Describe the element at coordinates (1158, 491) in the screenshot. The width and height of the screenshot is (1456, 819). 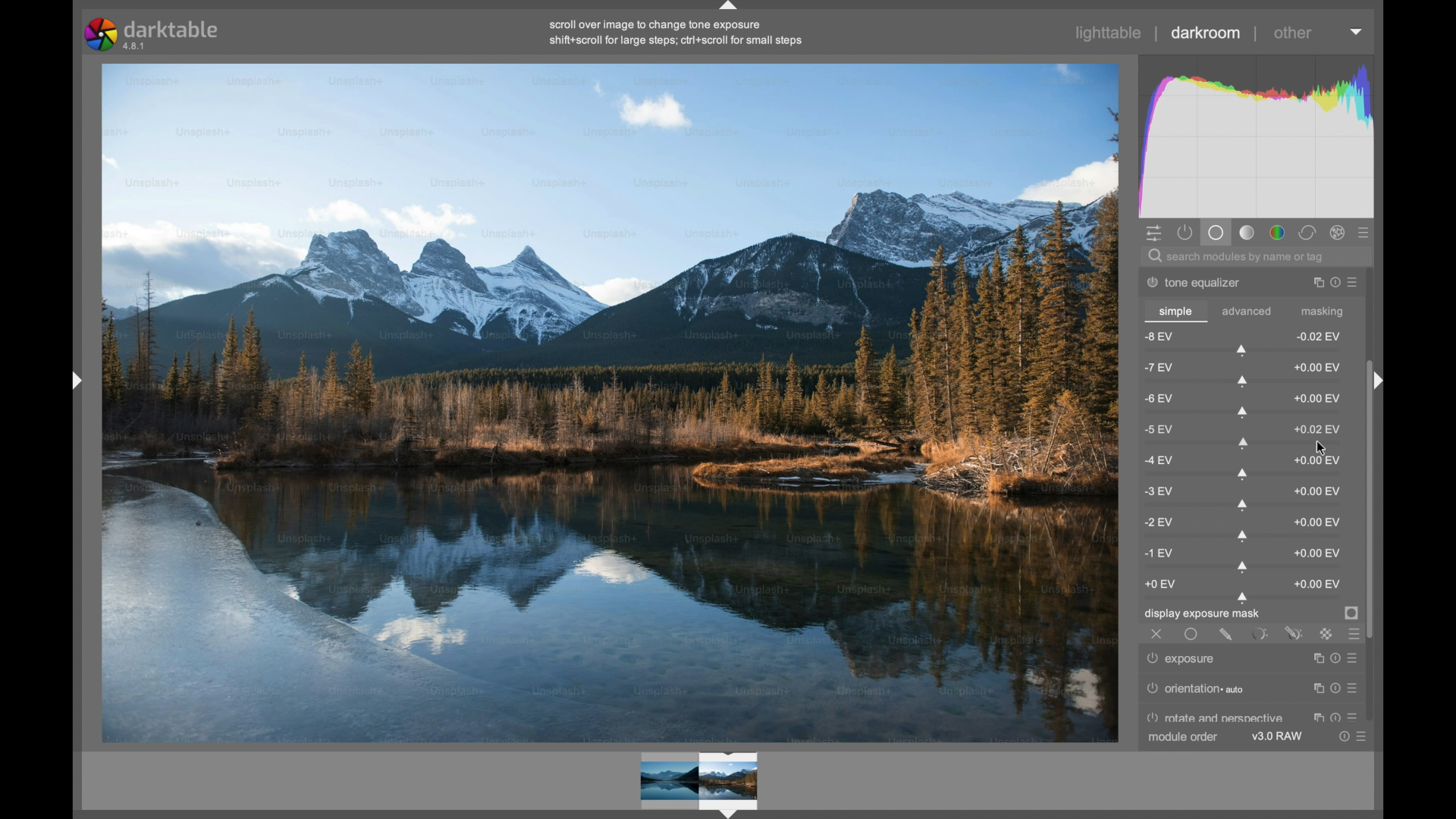
I see `-3 ev` at that location.